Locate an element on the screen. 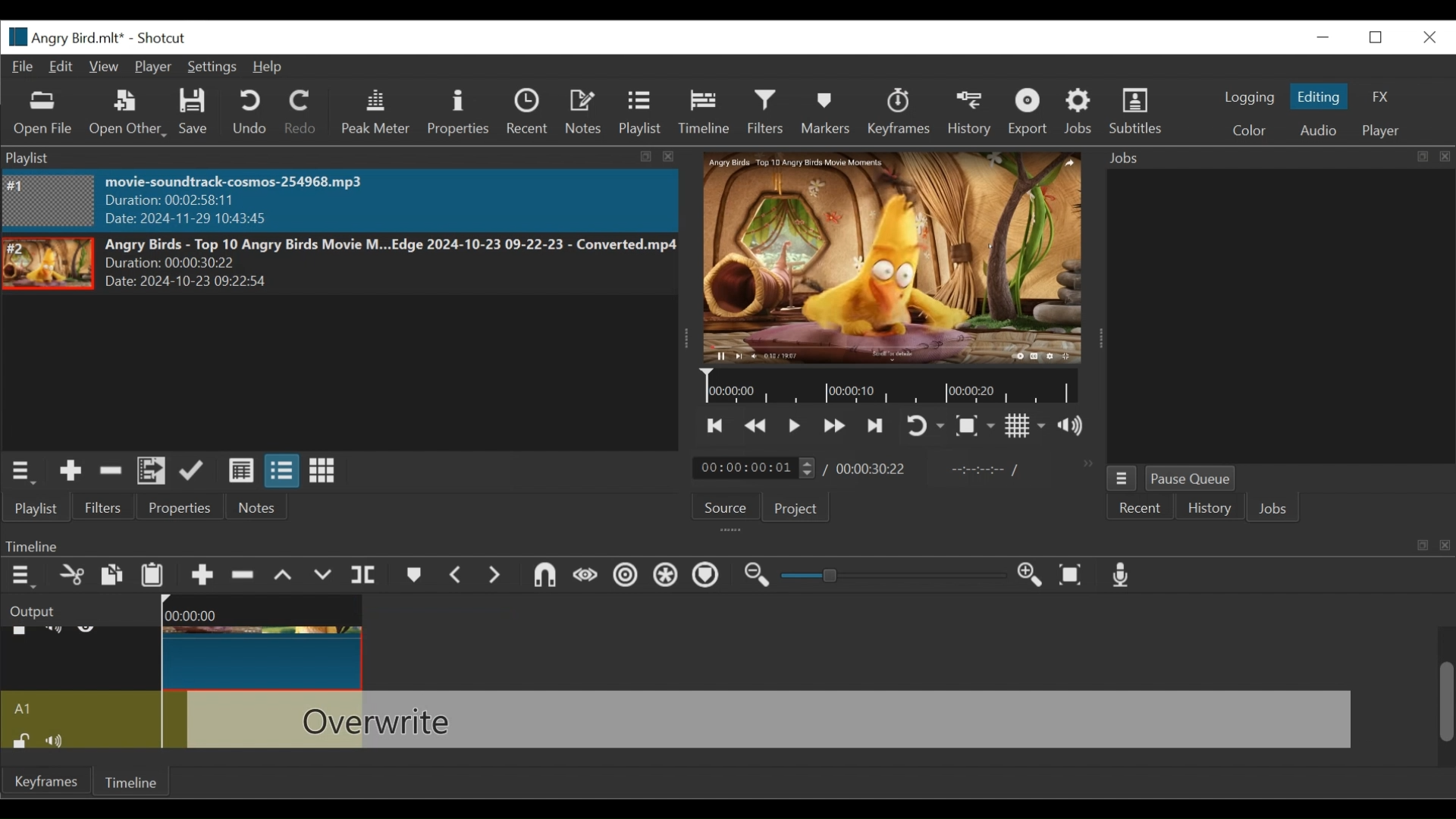  Add files to the playlist is located at coordinates (152, 472).